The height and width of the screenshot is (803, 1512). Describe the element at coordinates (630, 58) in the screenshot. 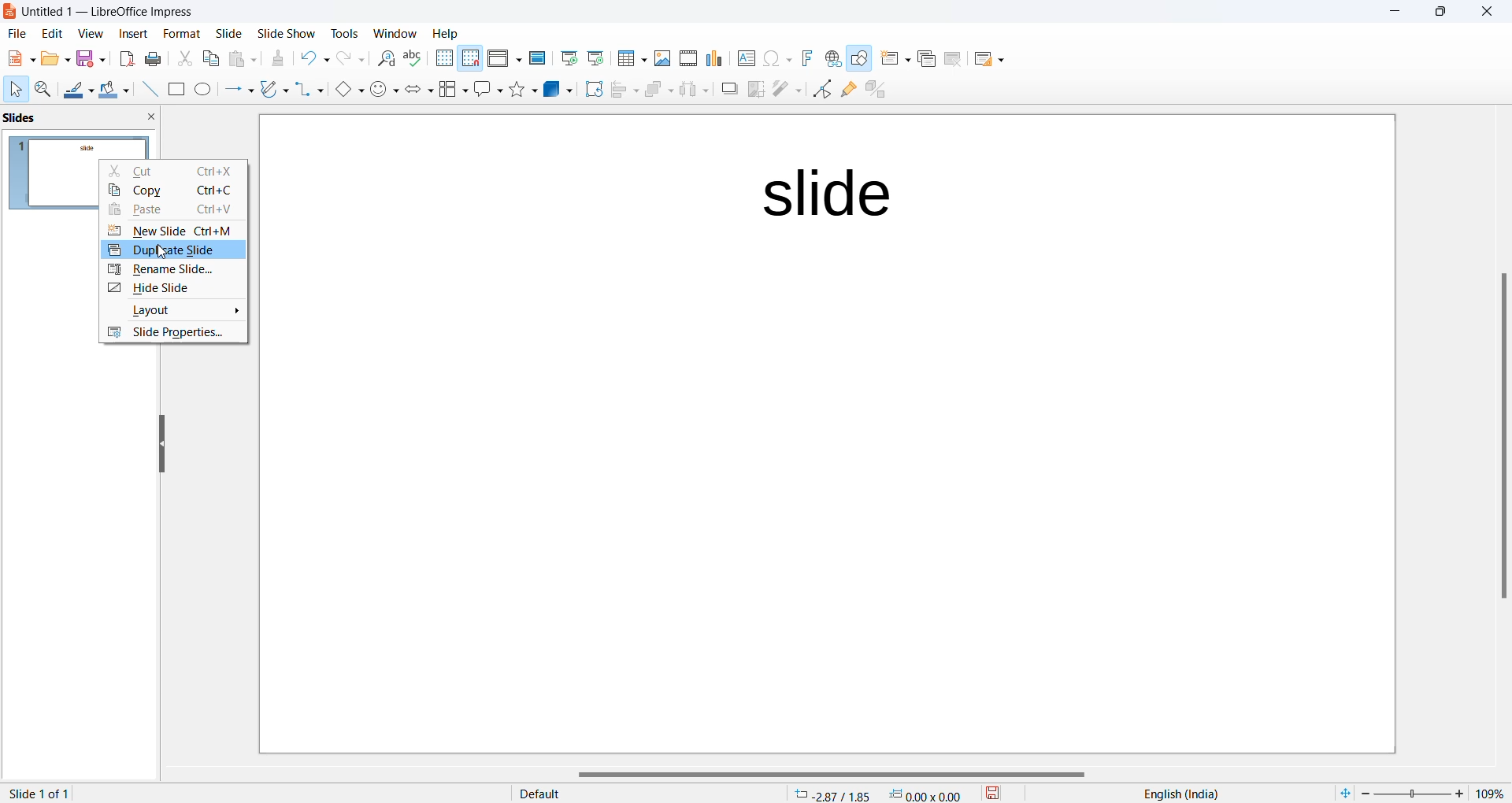

I see `Insert table` at that location.